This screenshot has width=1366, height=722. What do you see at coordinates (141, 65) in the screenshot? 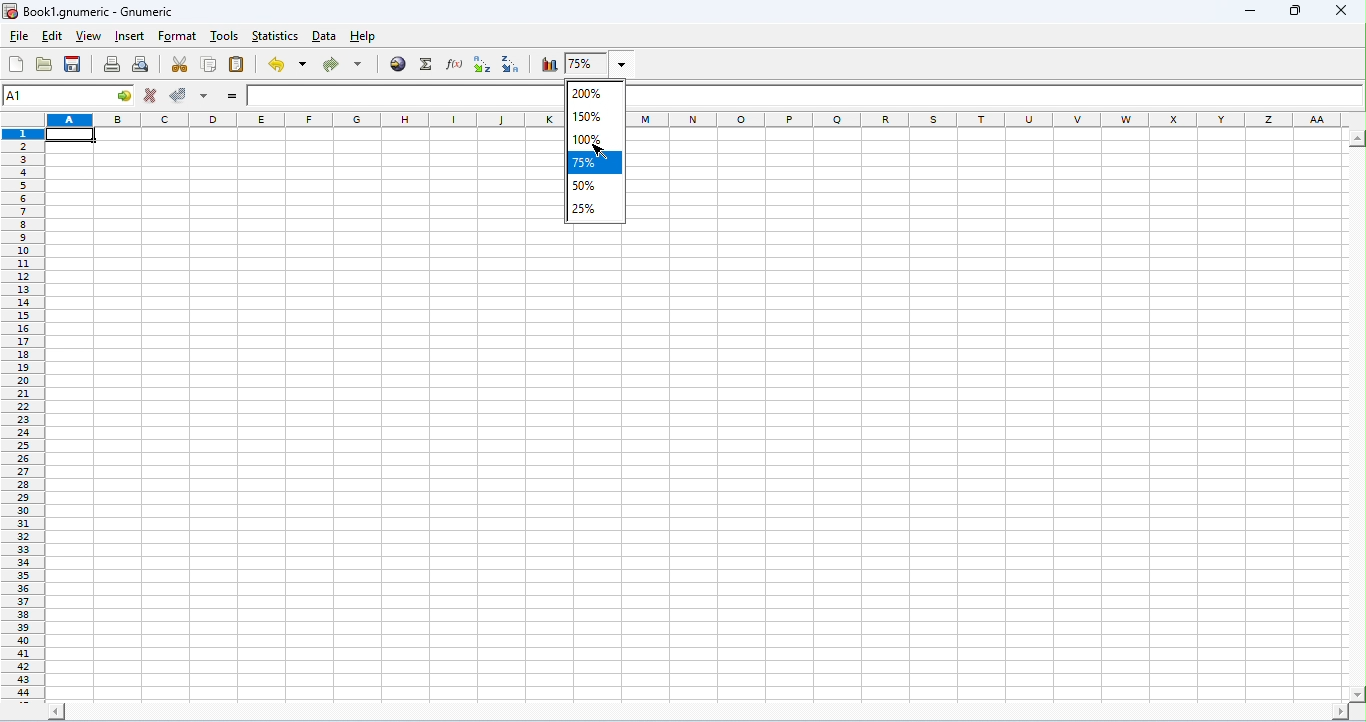
I see `print preview` at bounding box center [141, 65].